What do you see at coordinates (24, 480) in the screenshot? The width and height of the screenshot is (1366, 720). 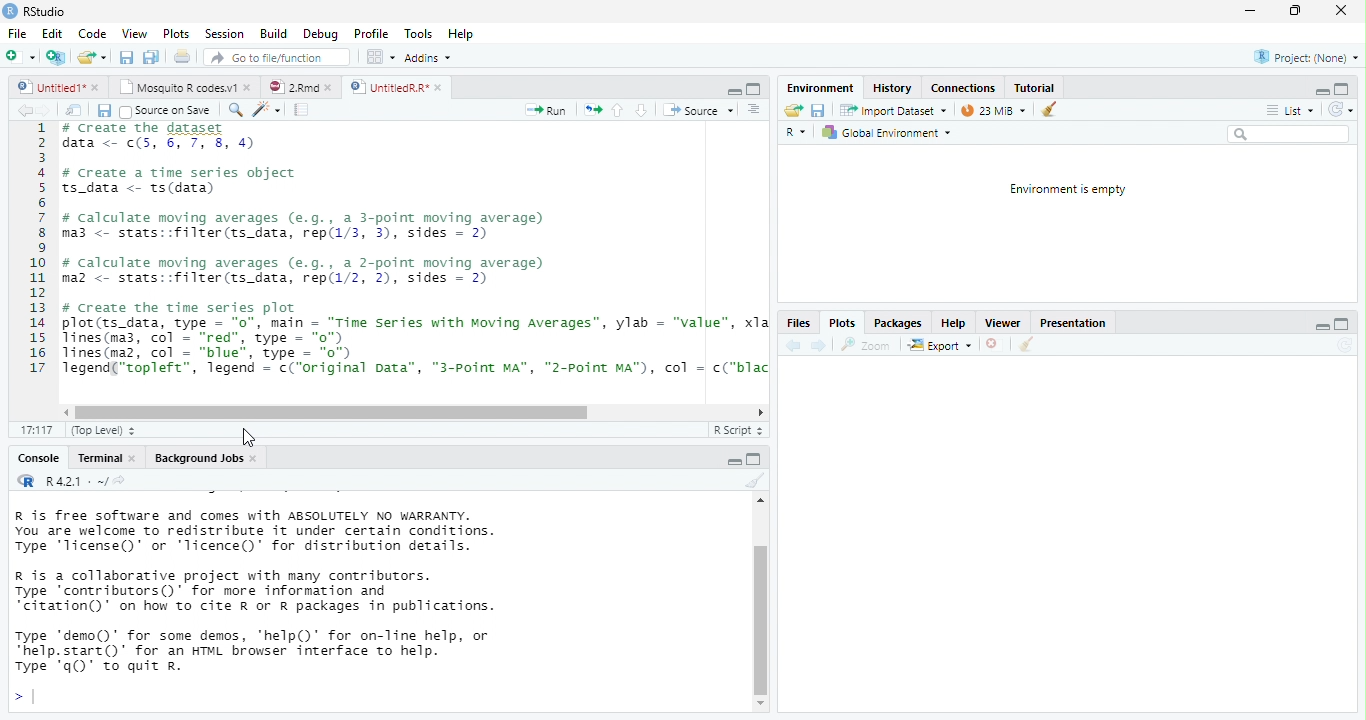 I see `R` at bounding box center [24, 480].